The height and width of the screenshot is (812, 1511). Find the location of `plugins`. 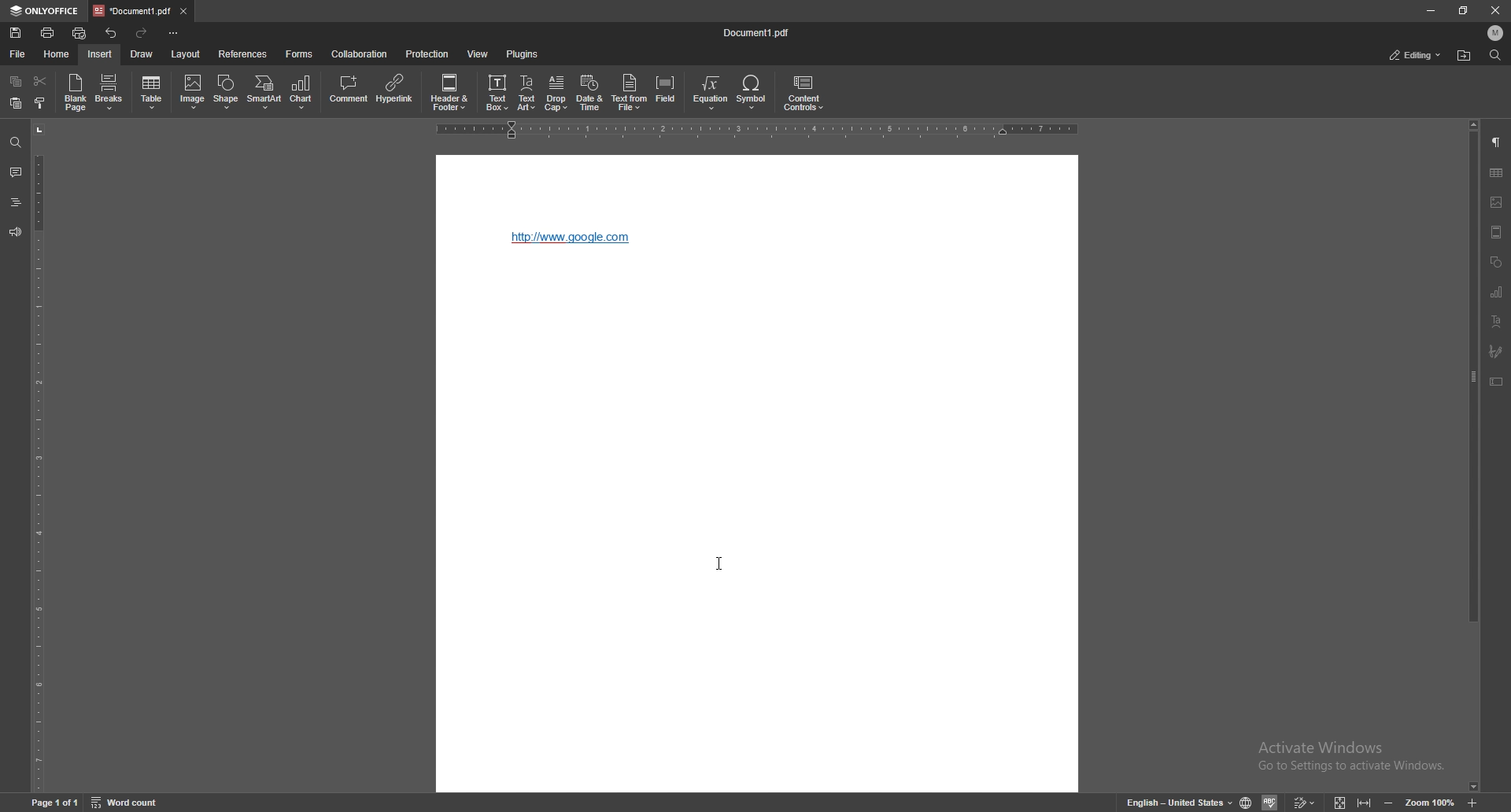

plugins is located at coordinates (522, 54).